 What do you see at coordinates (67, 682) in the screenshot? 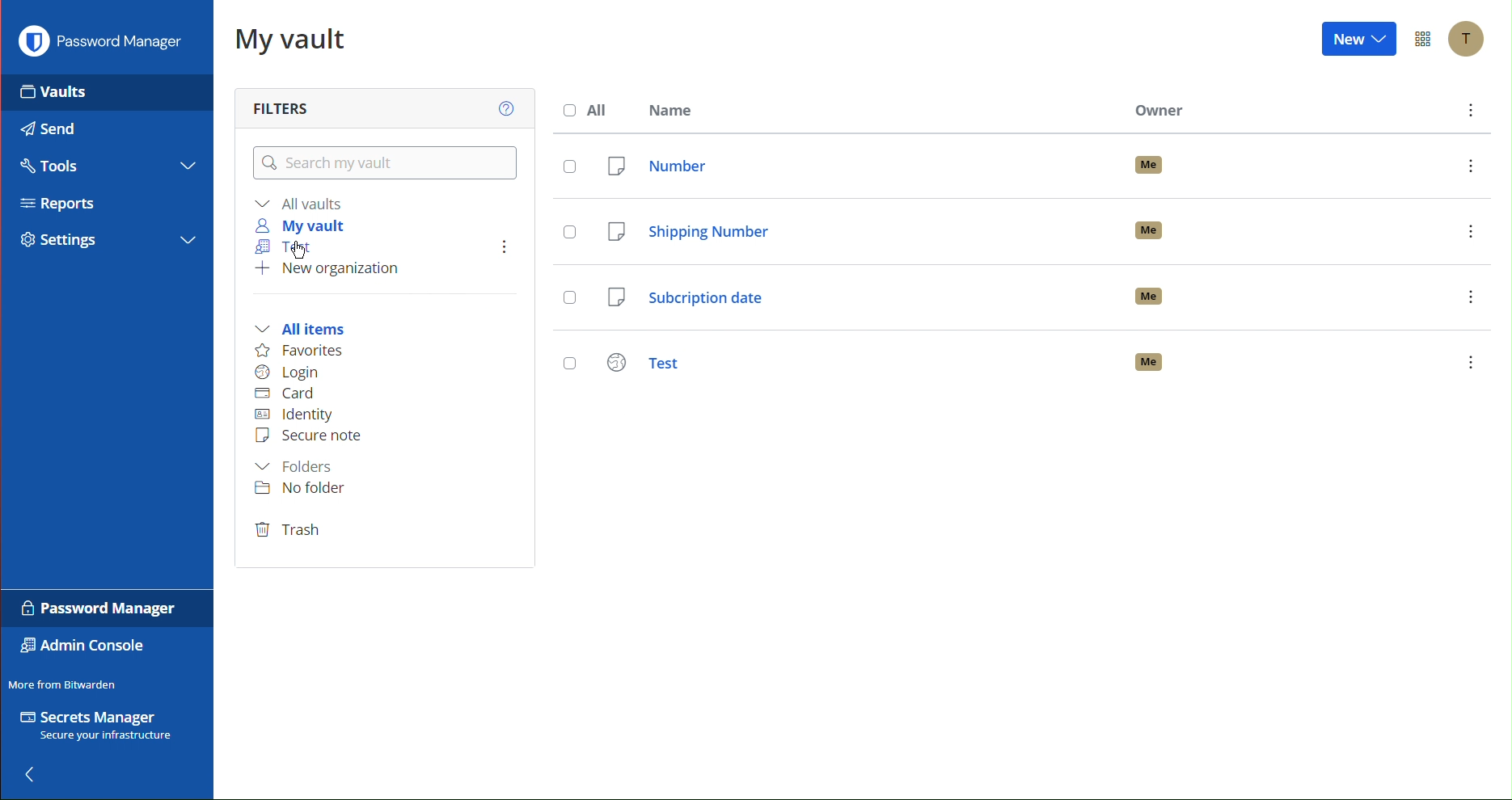
I see `More from Bitwarden` at bounding box center [67, 682].